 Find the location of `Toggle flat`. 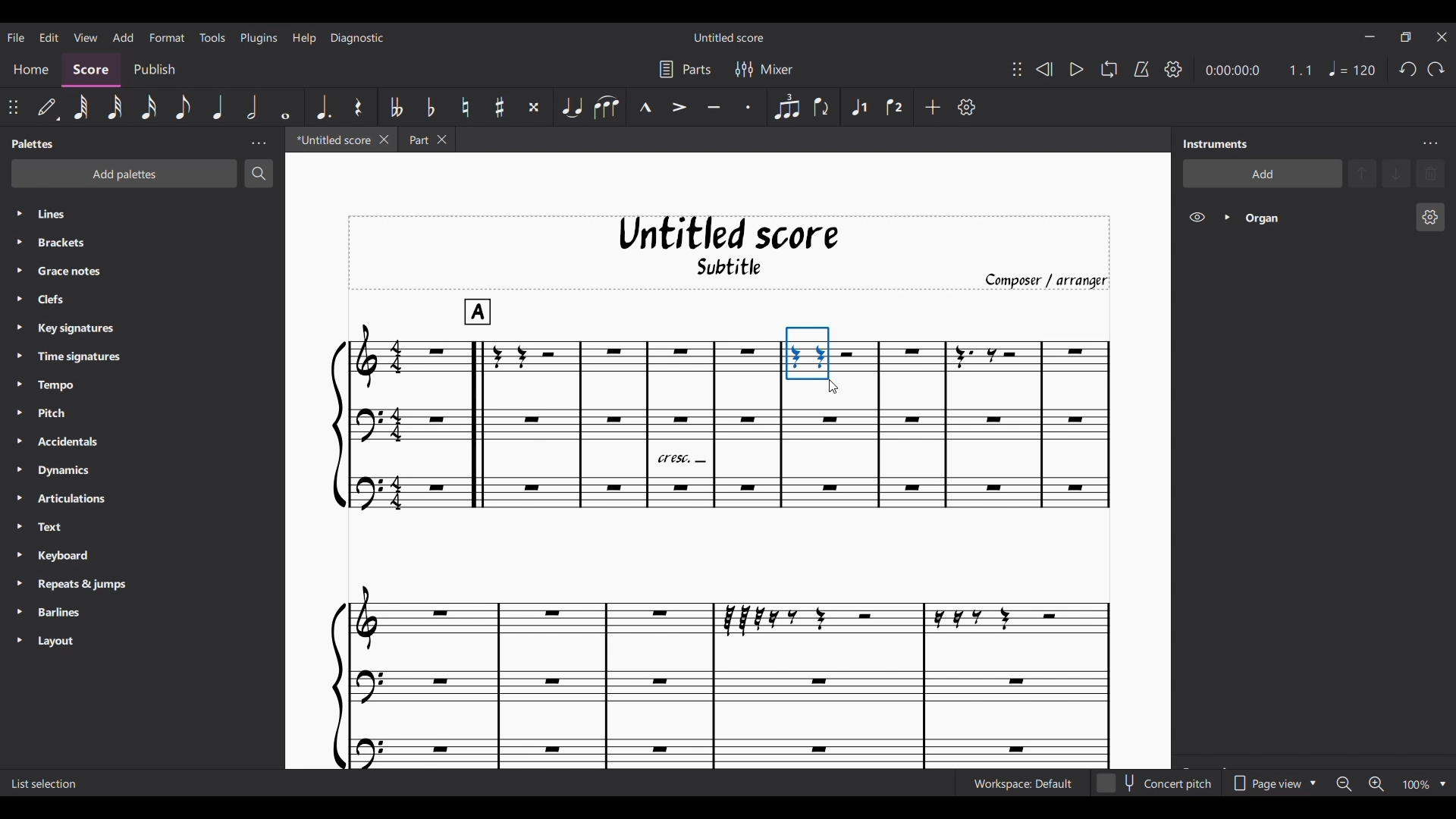

Toggle flat is located at coordinates (430, 107).